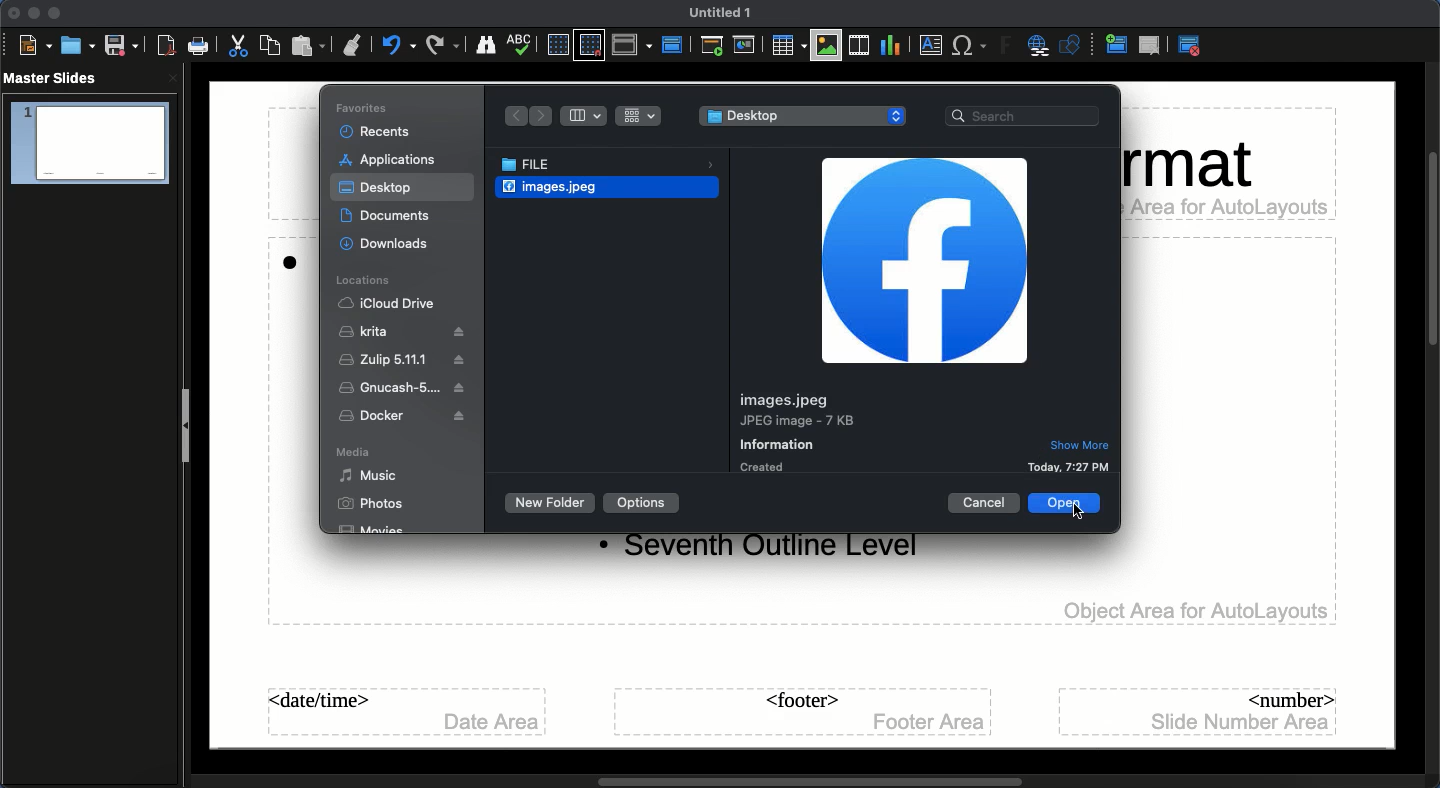  What do you see at coordinates (1026, 117) in the screenshot?
I see `Search` at bounding box center [1026, 117].